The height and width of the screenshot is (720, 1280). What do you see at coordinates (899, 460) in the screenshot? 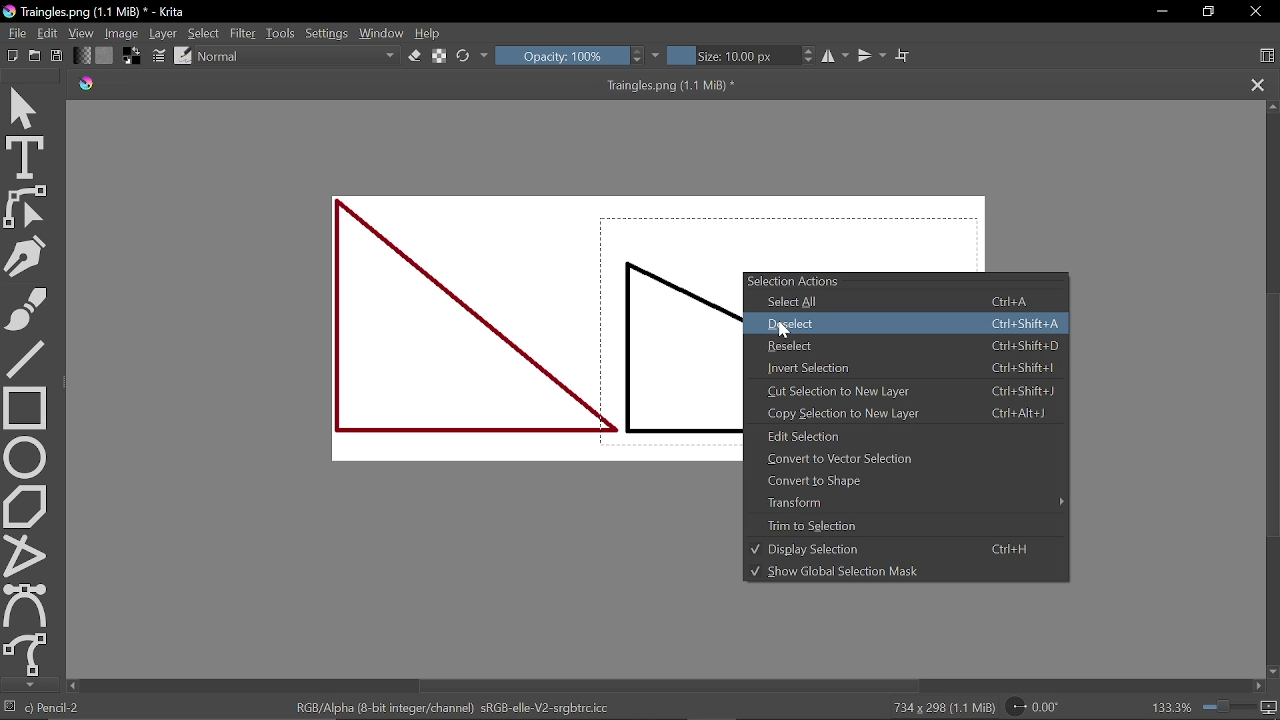
I see `Connect to vector selection` at bounding box center [899, 460].